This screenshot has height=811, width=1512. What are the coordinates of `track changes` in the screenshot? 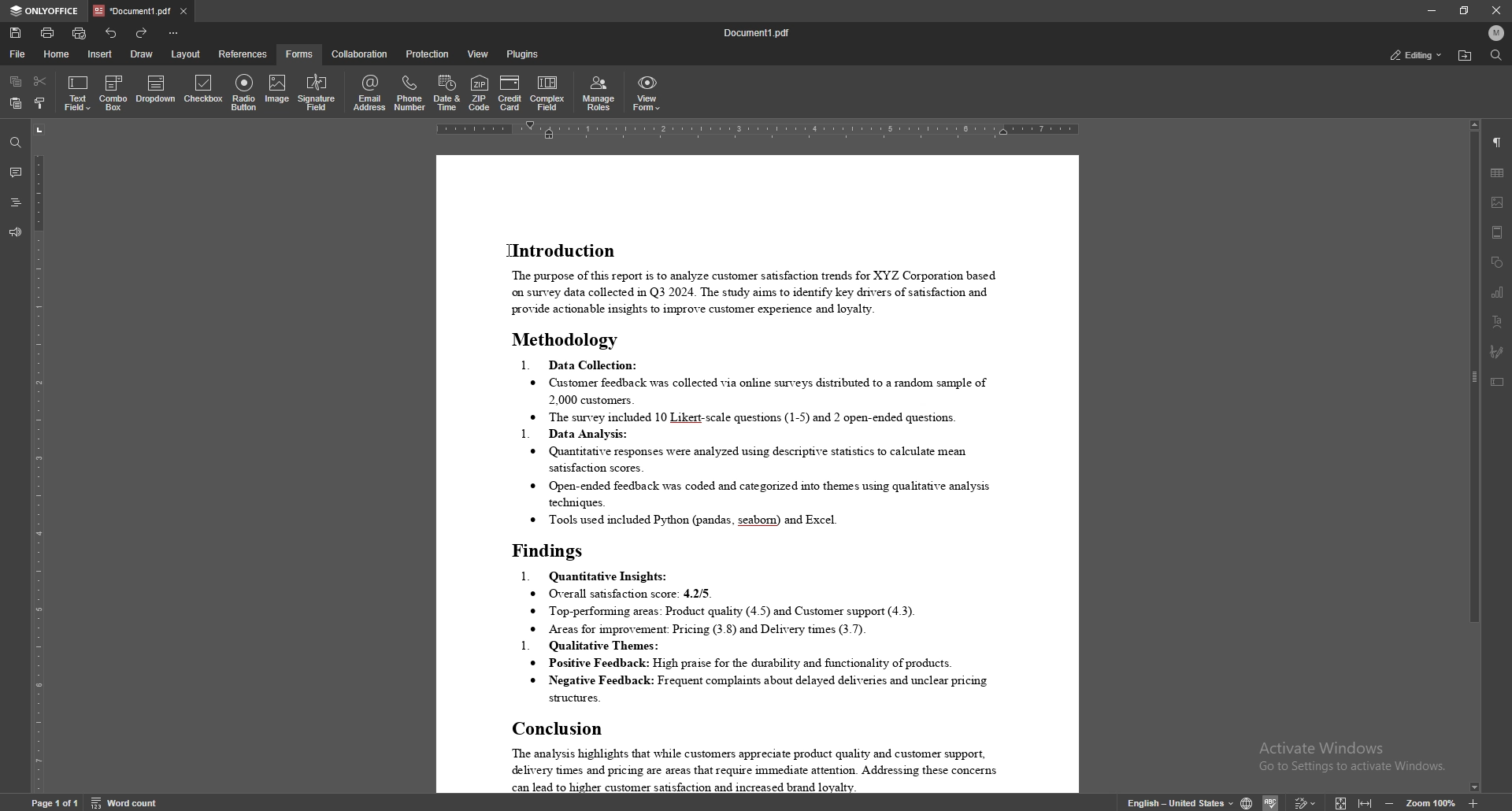 It's located at (1306, 804).